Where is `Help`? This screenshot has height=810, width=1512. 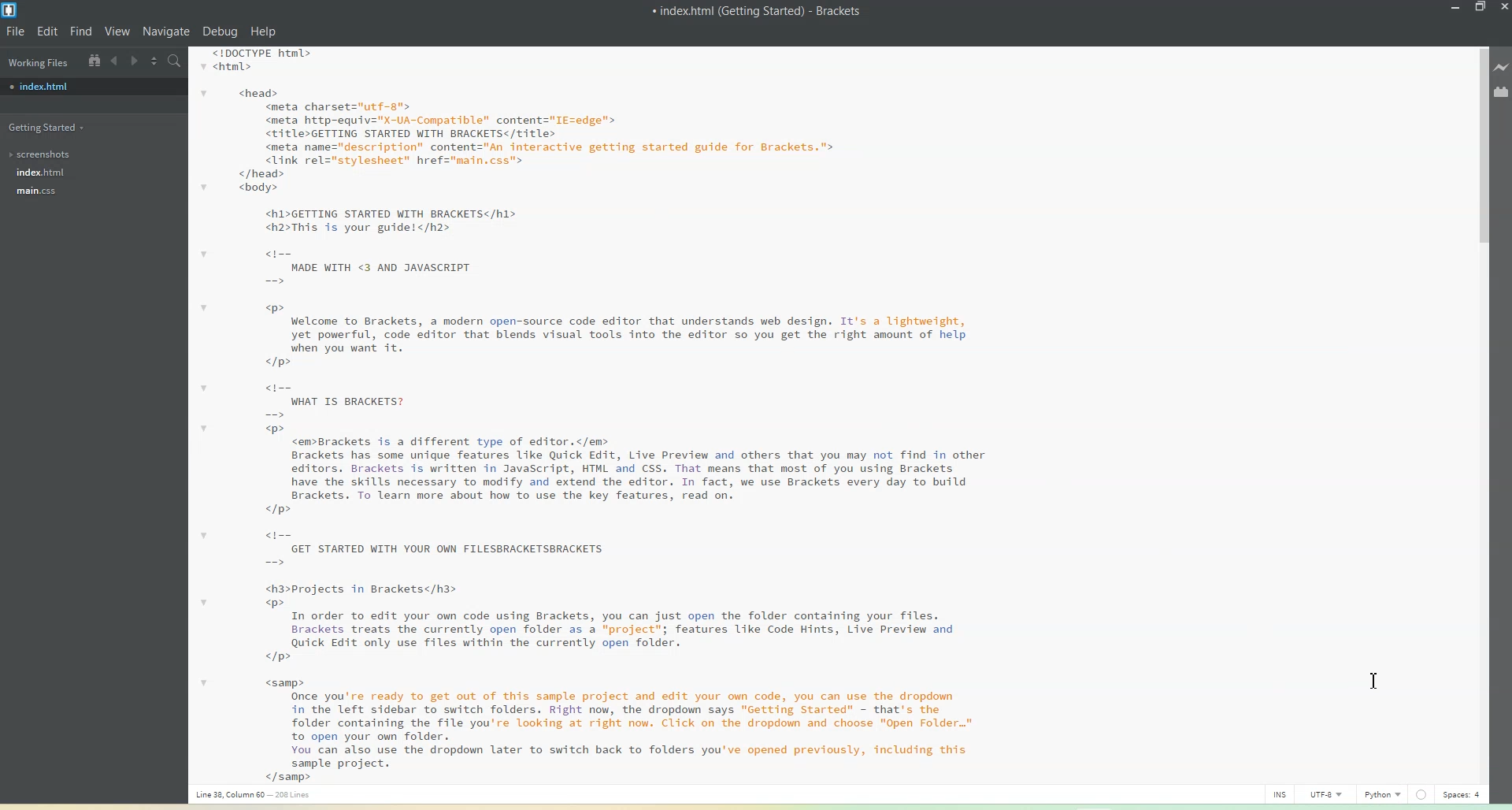
Help is located at coordinates (262, 32).